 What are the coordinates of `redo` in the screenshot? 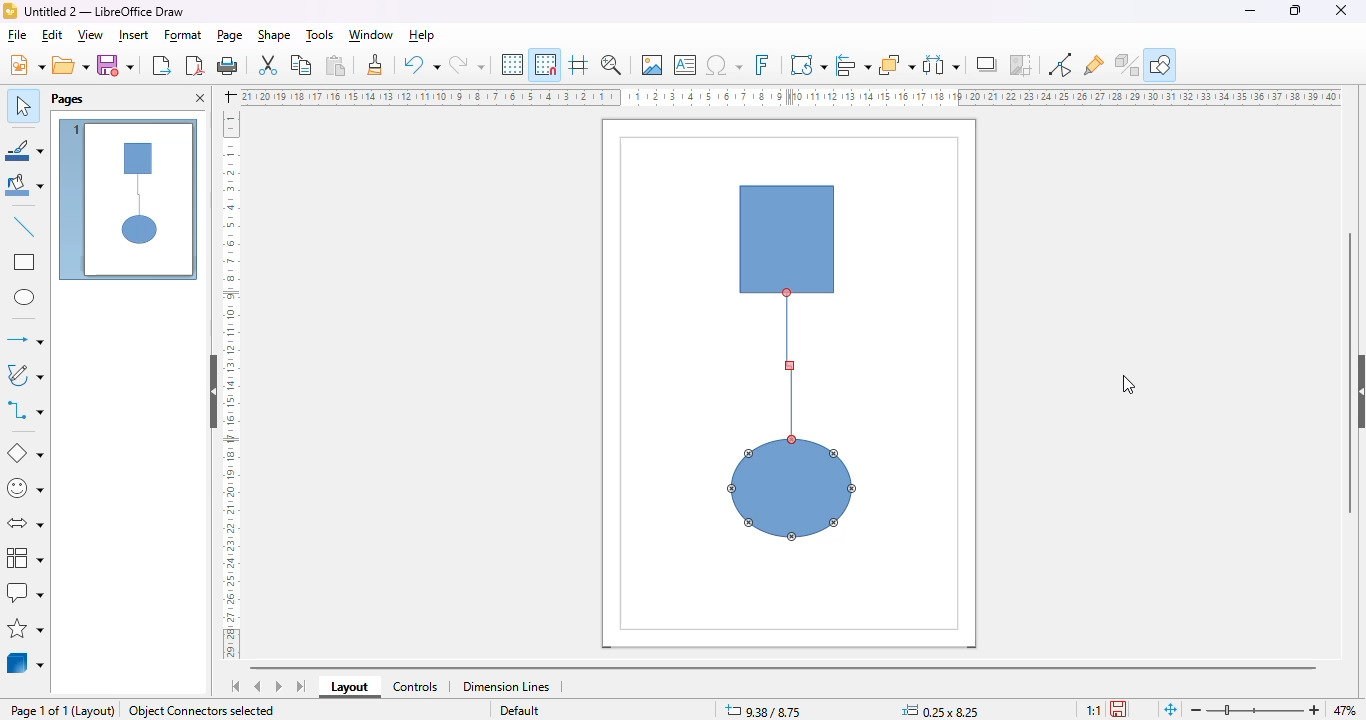 It's located at (466, 66).